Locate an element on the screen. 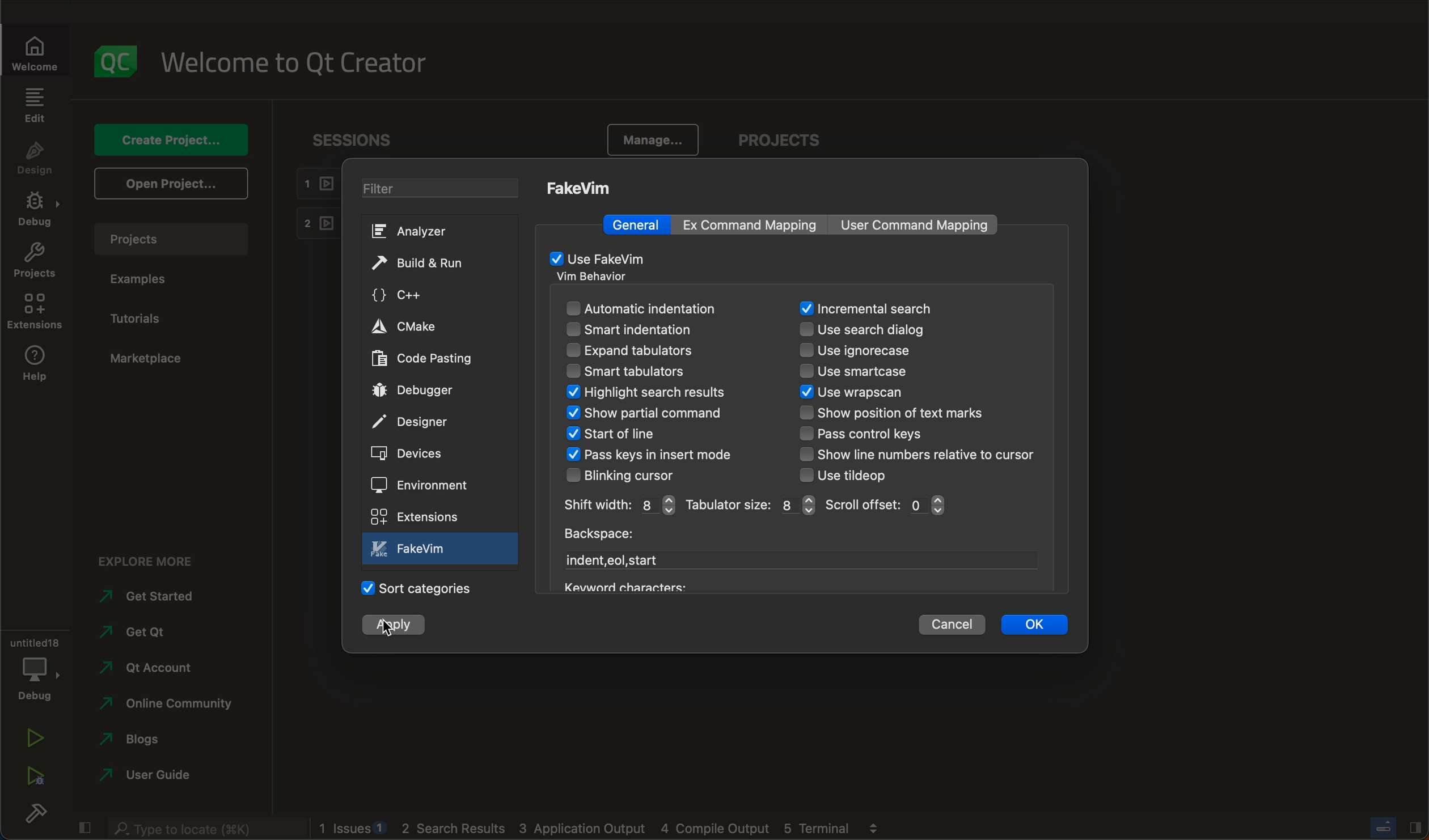 The width and height of the screenshot is (1429, 840). smart tabulators is located at coordinates (627, 371).